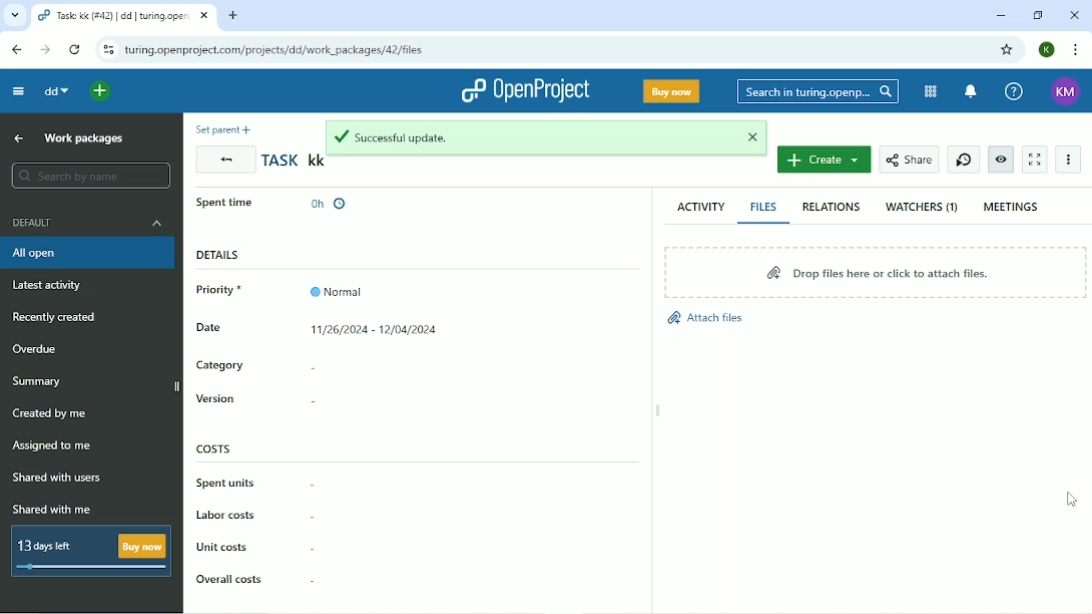 The image size is (1092, 614). What do you see at coordinates (59, 92) in the screenshot?
I see `dd` at bounding box center [59, 92].